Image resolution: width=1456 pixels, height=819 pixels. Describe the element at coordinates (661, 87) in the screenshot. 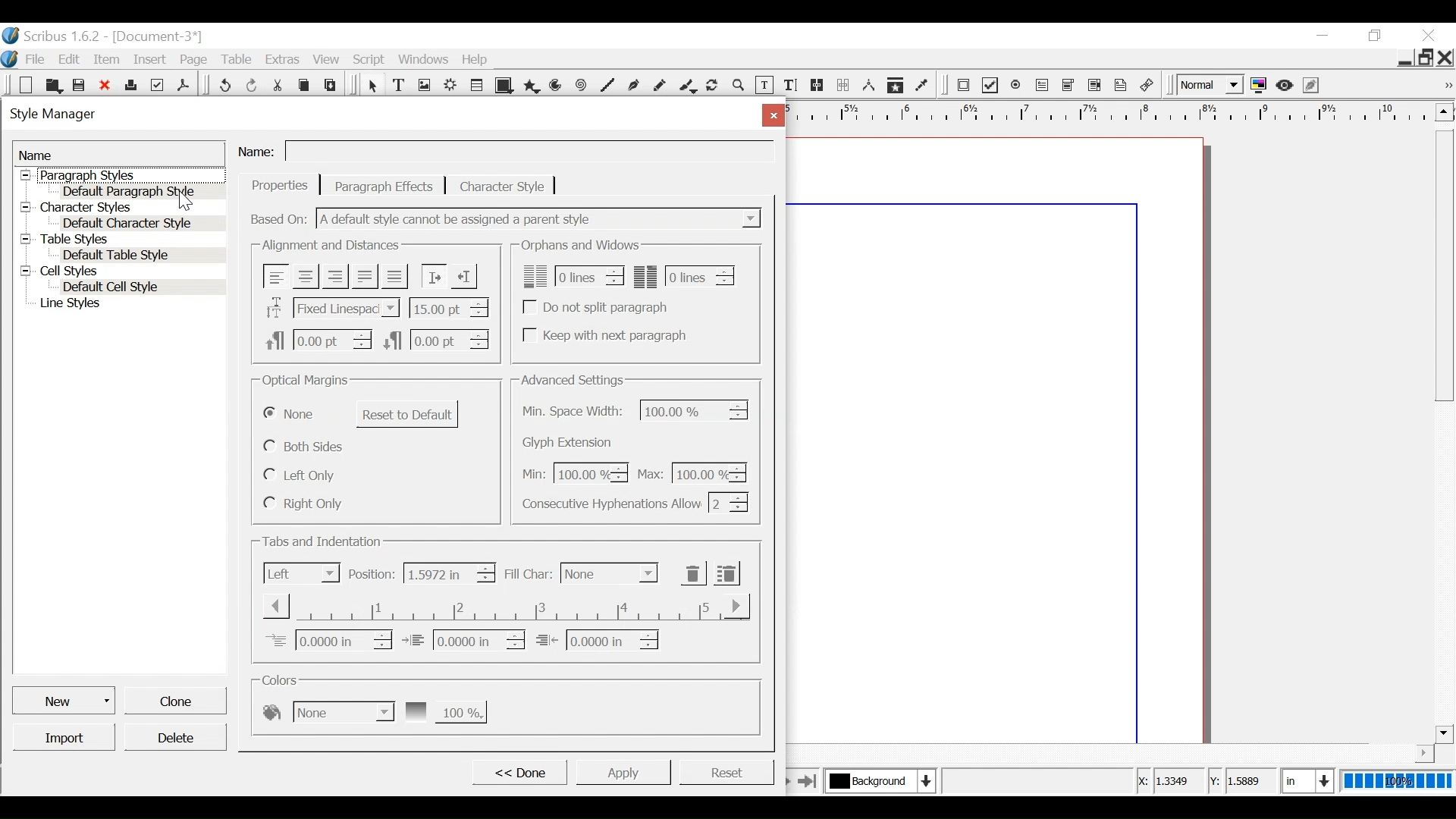

I see `Freehand line` at that location.